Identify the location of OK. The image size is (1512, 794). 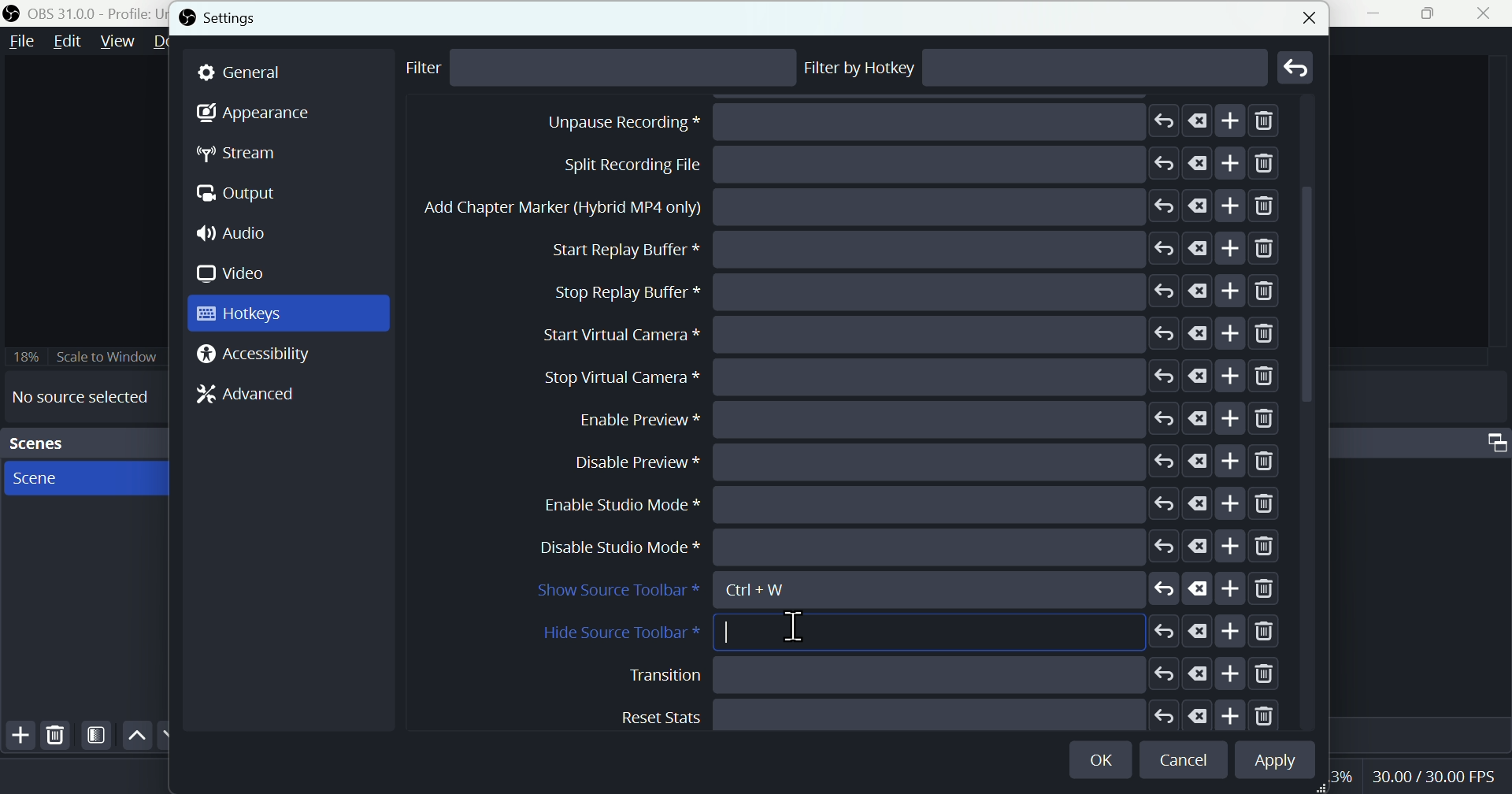
(1103, 757).